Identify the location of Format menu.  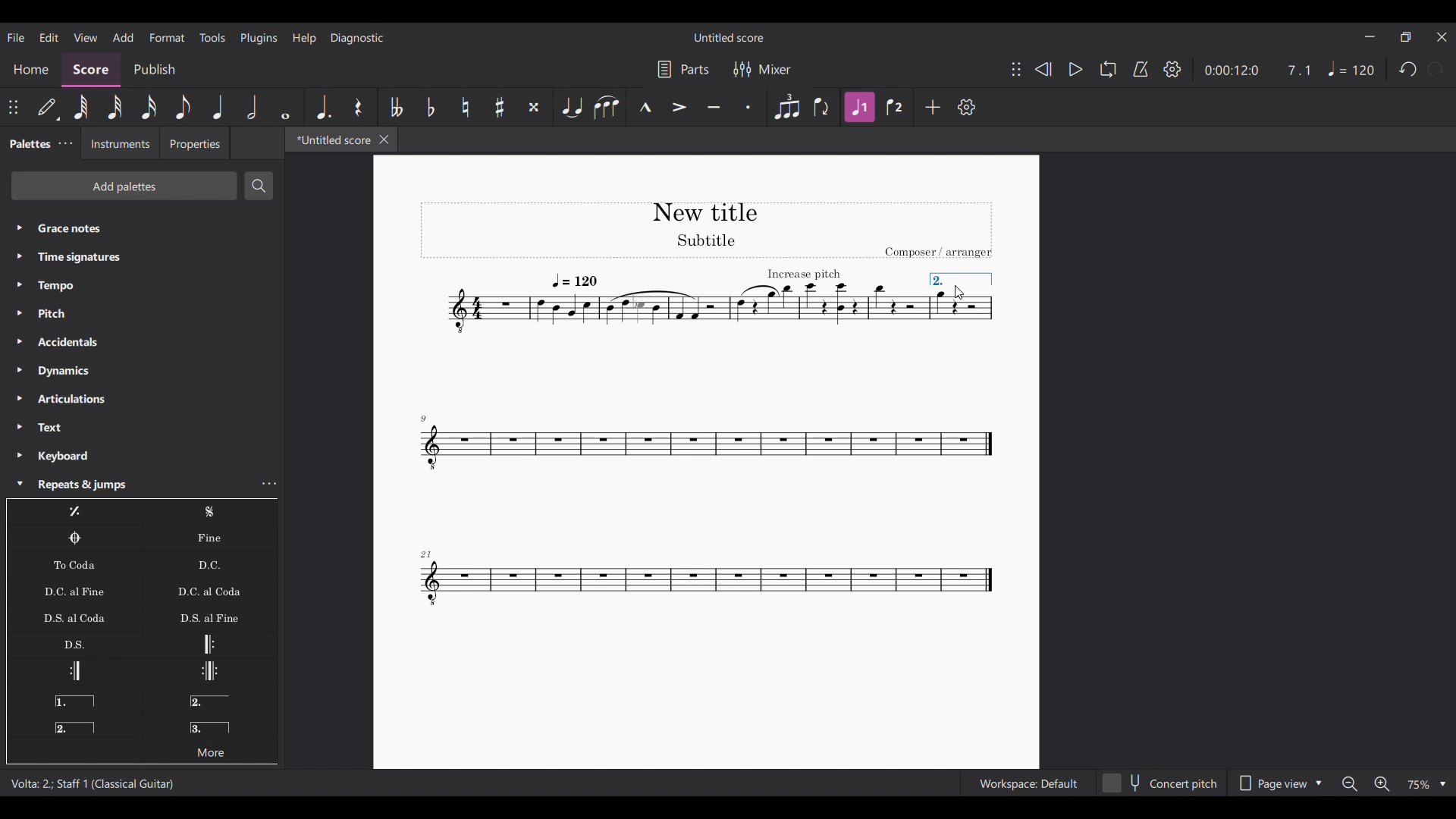
(167, 38).